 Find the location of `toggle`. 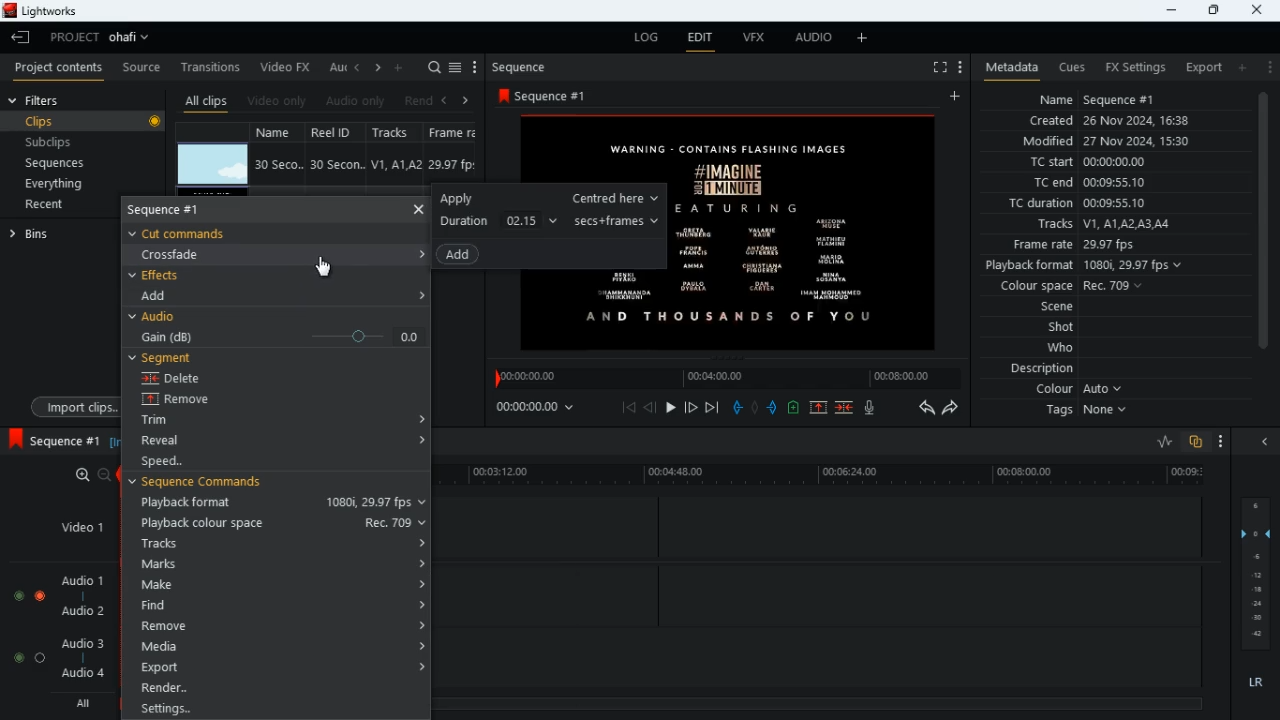

toggle is located at coordinates (14, 657).